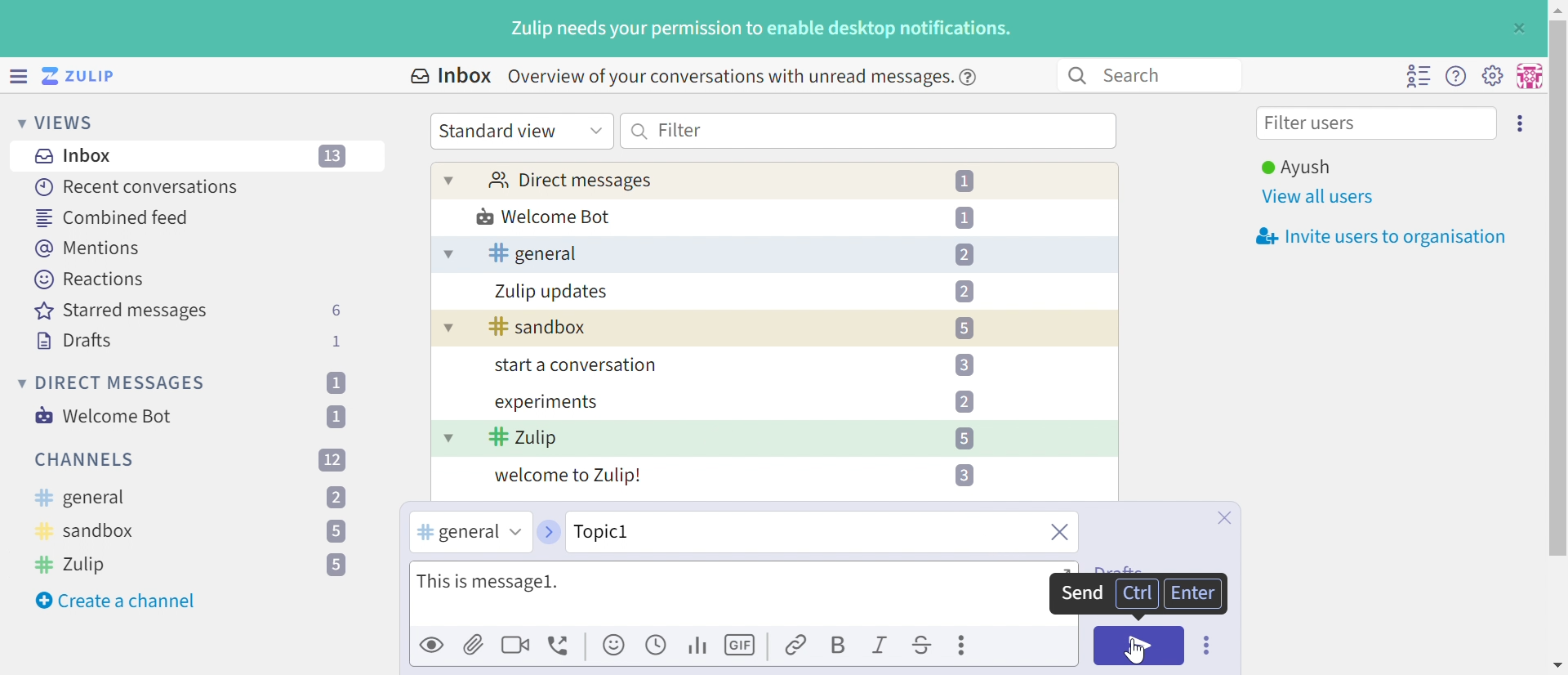 The image size is (1568, 675). What do you see at coordinates (545, 218) in the screenshot?
I see `Welcome Bot` at bounding box center [545, 218].